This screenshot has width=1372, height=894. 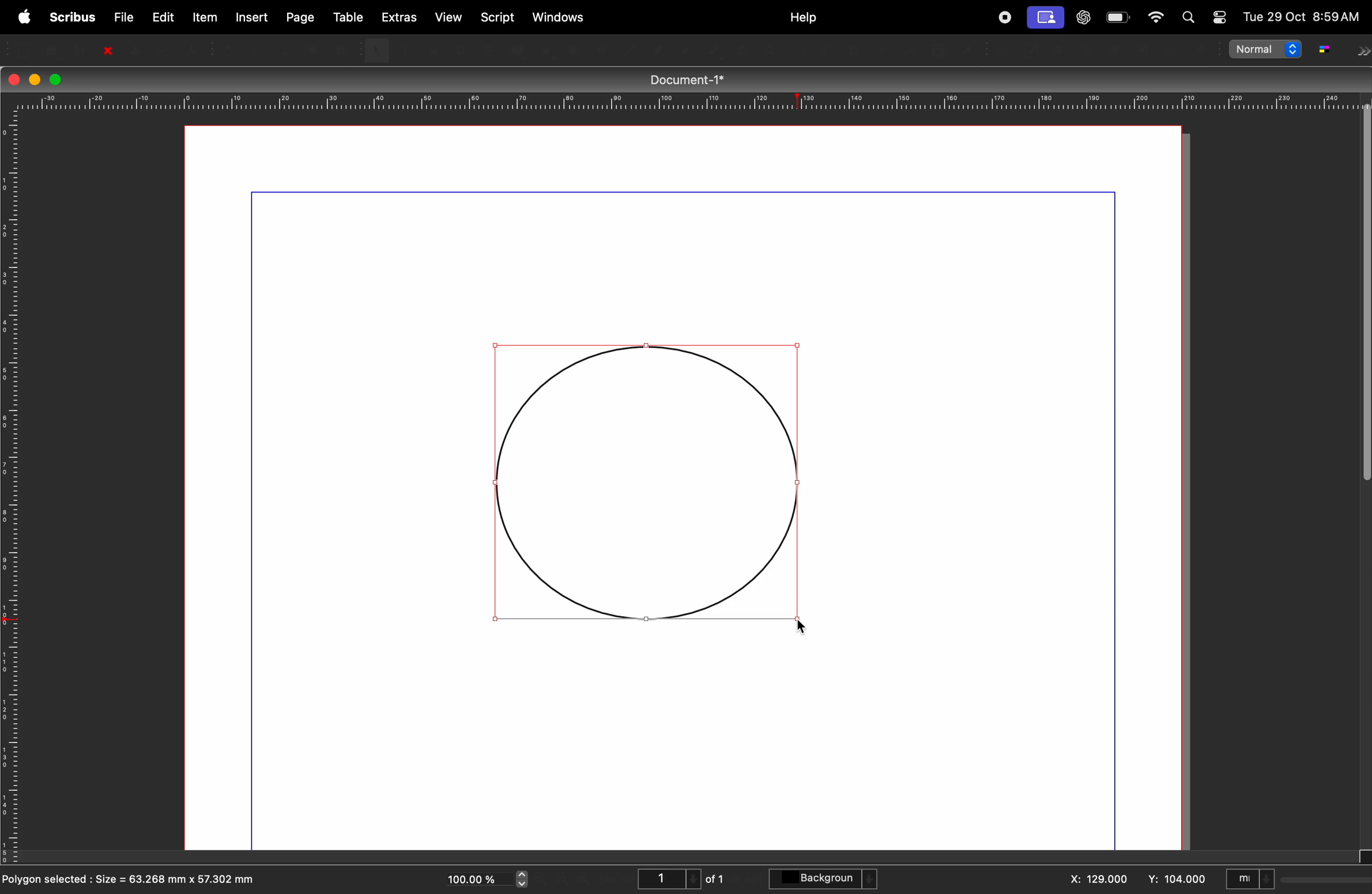 I want to click on save as PDF, so click(x=194, y=48).